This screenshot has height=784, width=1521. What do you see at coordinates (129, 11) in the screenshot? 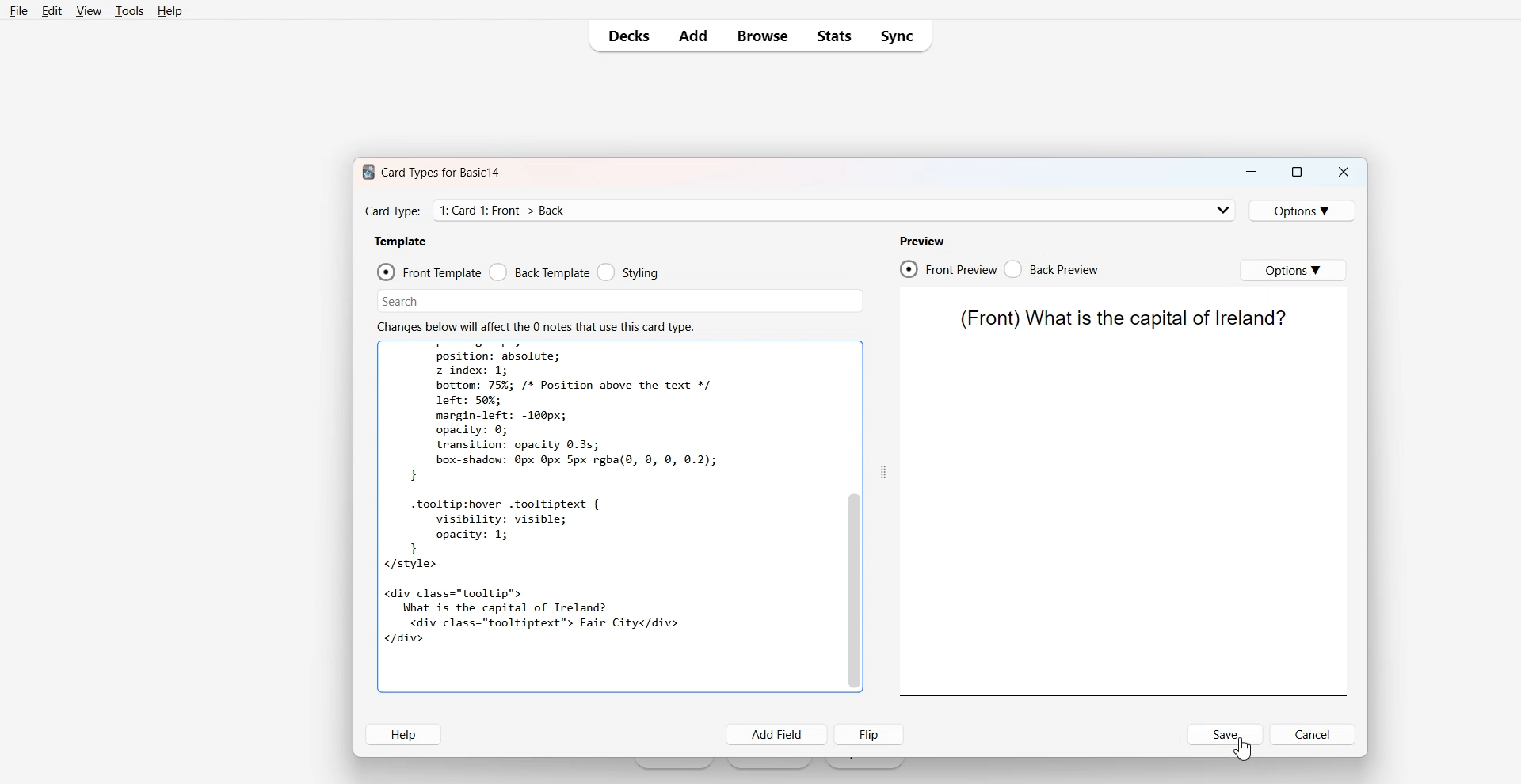
I see `Tools` at bounding box center [129, 11].